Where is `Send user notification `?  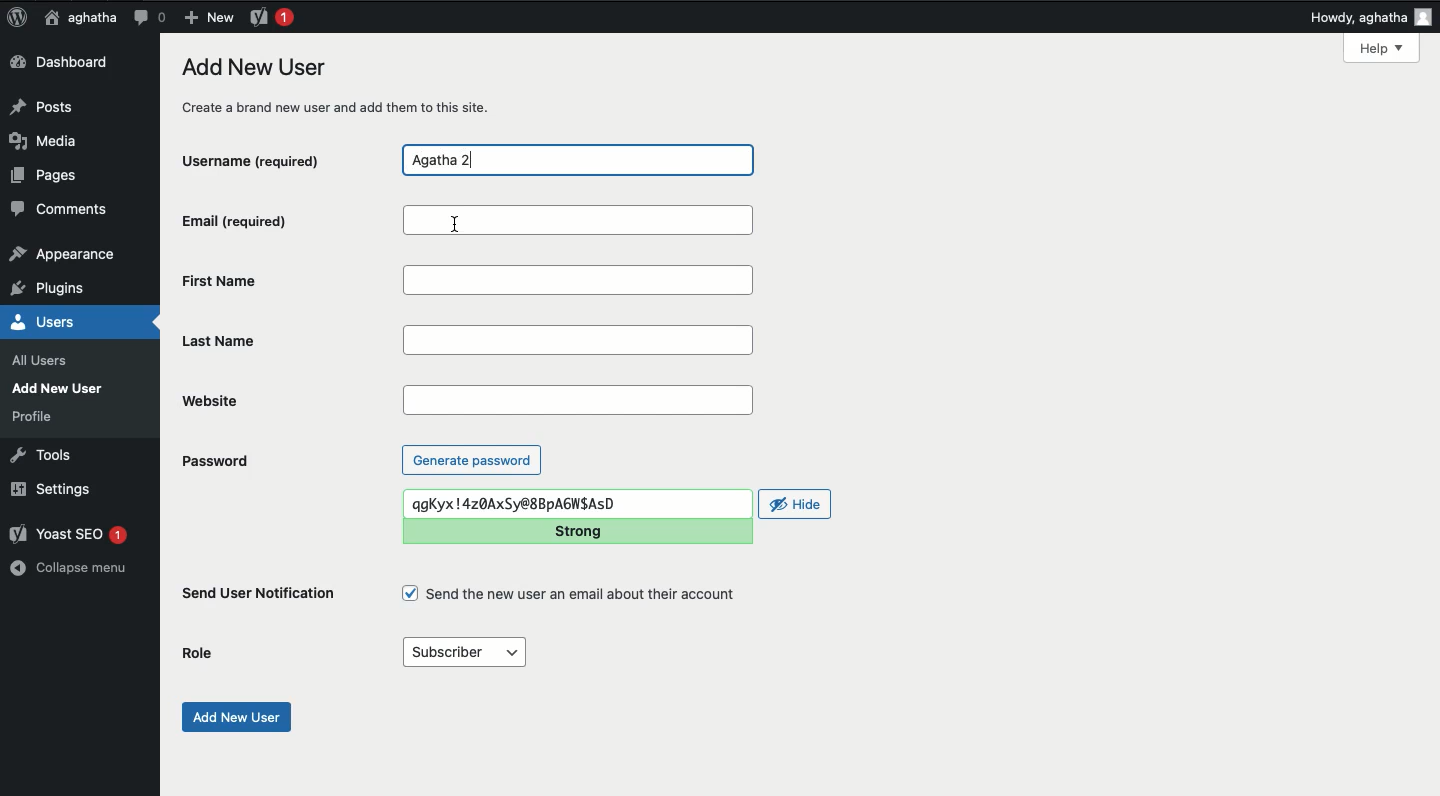 Send user notification  is located at coordinates (260, 597).